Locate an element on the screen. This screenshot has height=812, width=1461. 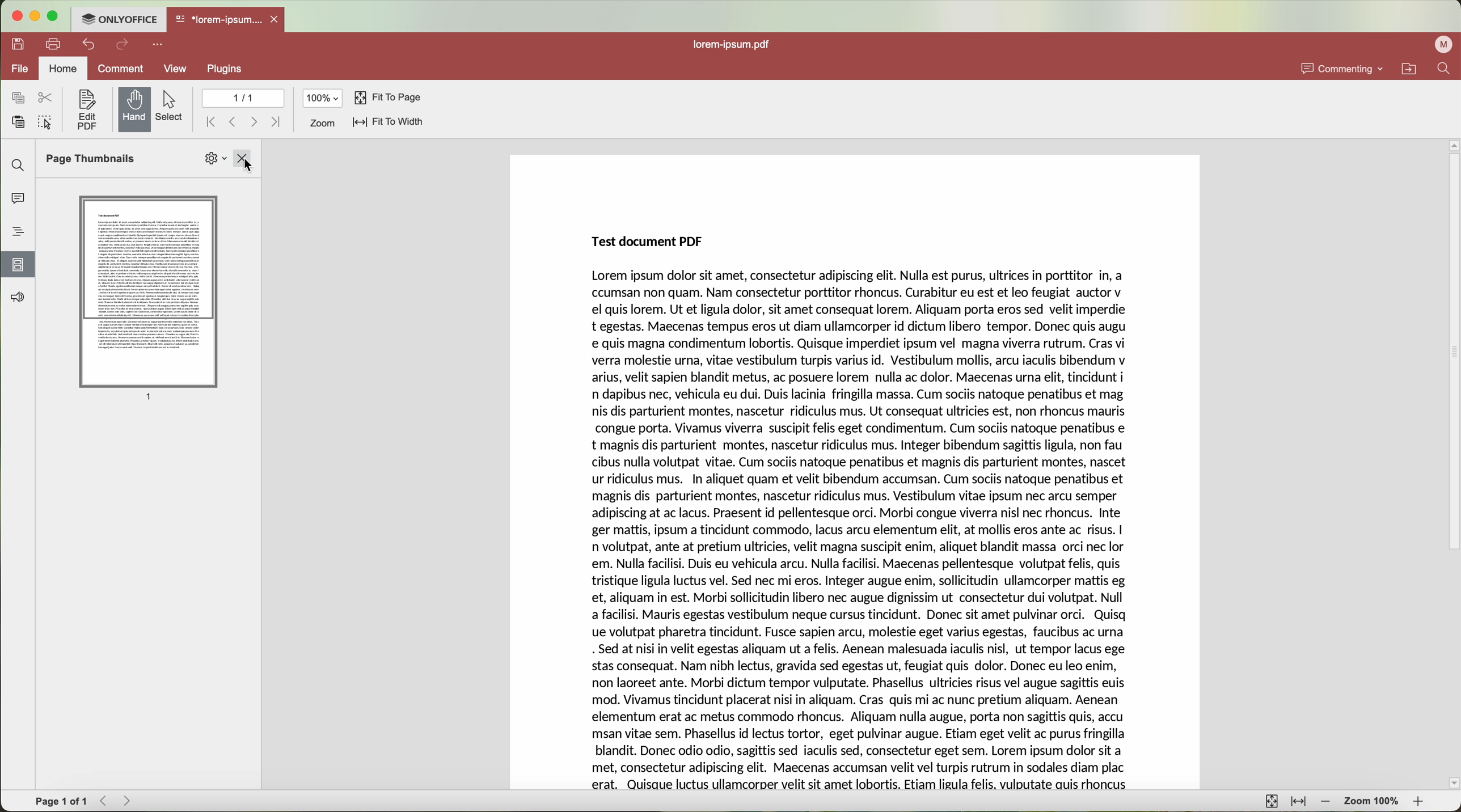
open file location is located at coordinates (1409, 69).